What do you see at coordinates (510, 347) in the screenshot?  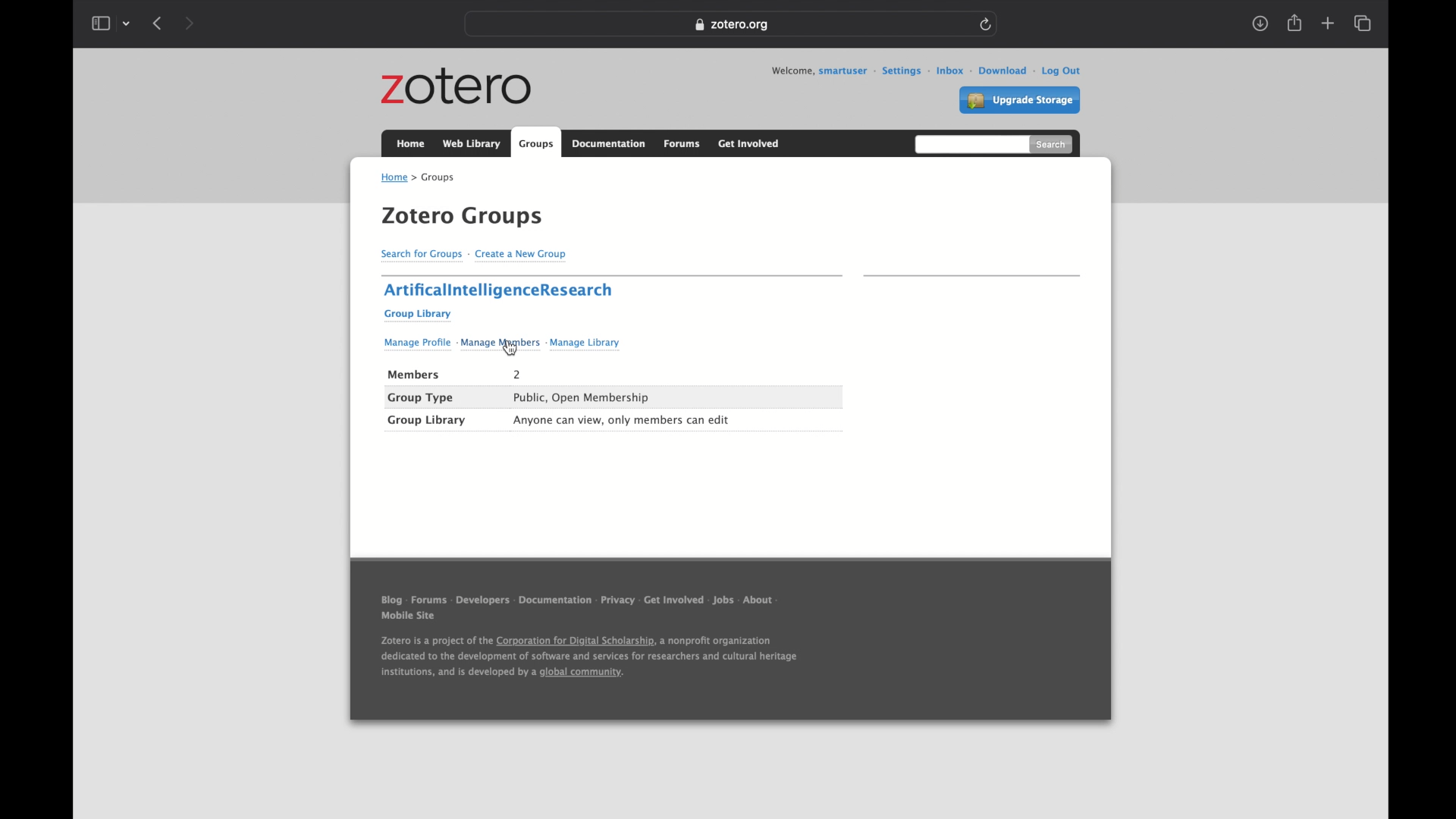 I see `Cursor` at bounding box center [510, 347].